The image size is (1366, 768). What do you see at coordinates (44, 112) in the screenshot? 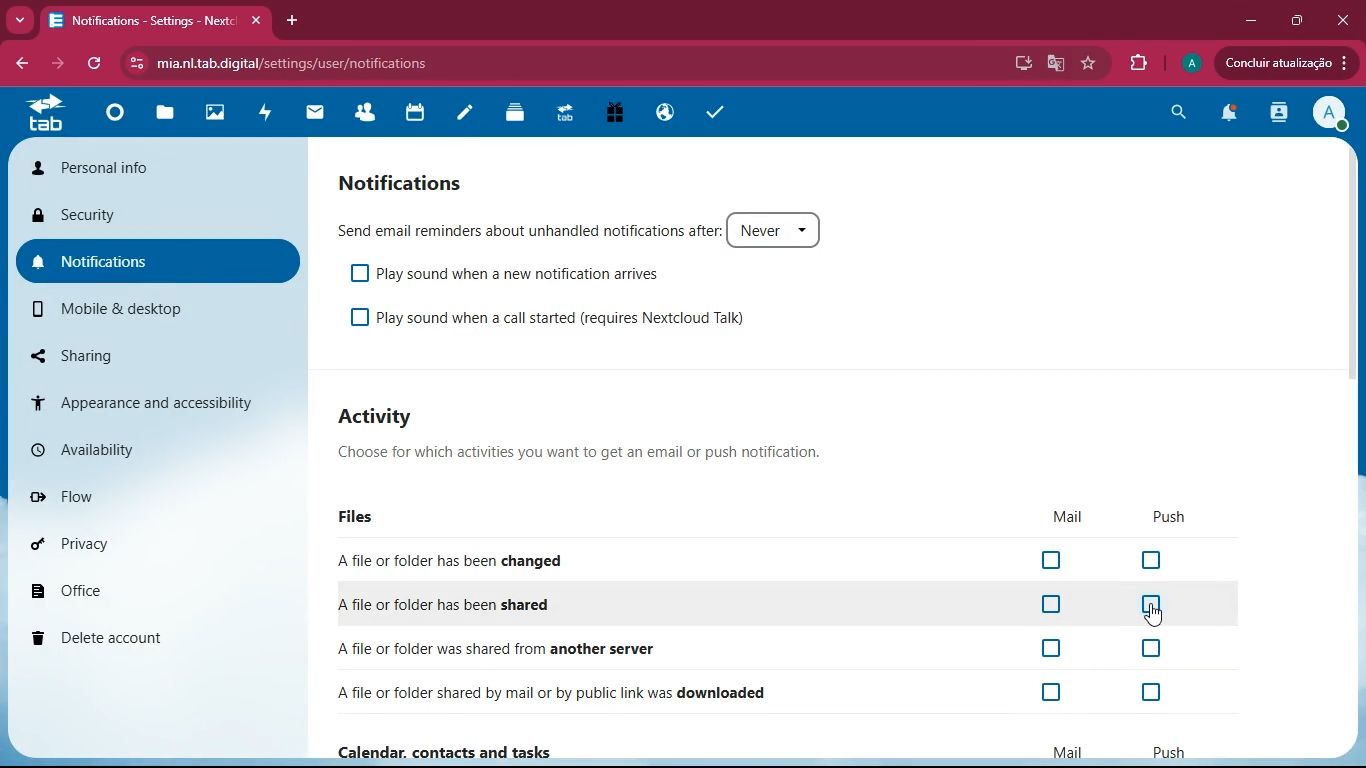
I see `tab` at bounding box center [44, 112].